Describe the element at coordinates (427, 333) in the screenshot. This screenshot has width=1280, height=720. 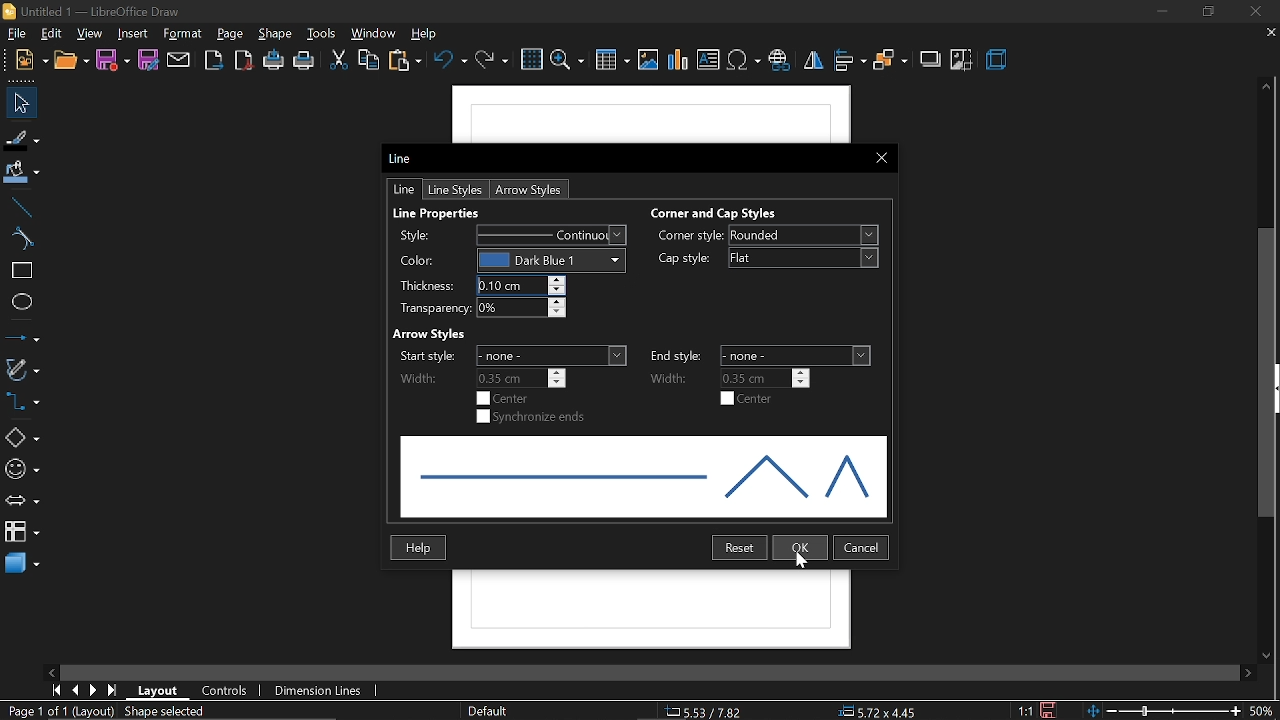
I see `Arrow Styles` at that location.